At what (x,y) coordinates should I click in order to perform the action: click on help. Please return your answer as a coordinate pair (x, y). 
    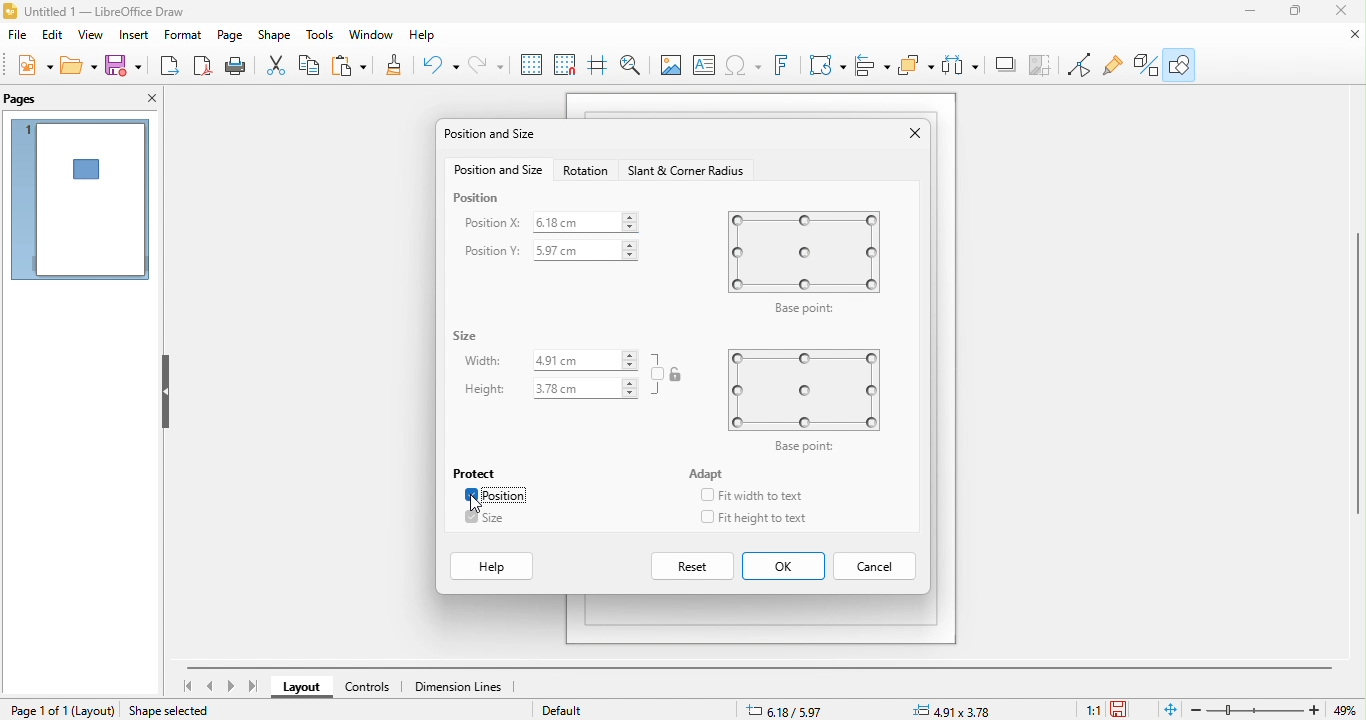
    Looking at the image, I should click on (431, 39).